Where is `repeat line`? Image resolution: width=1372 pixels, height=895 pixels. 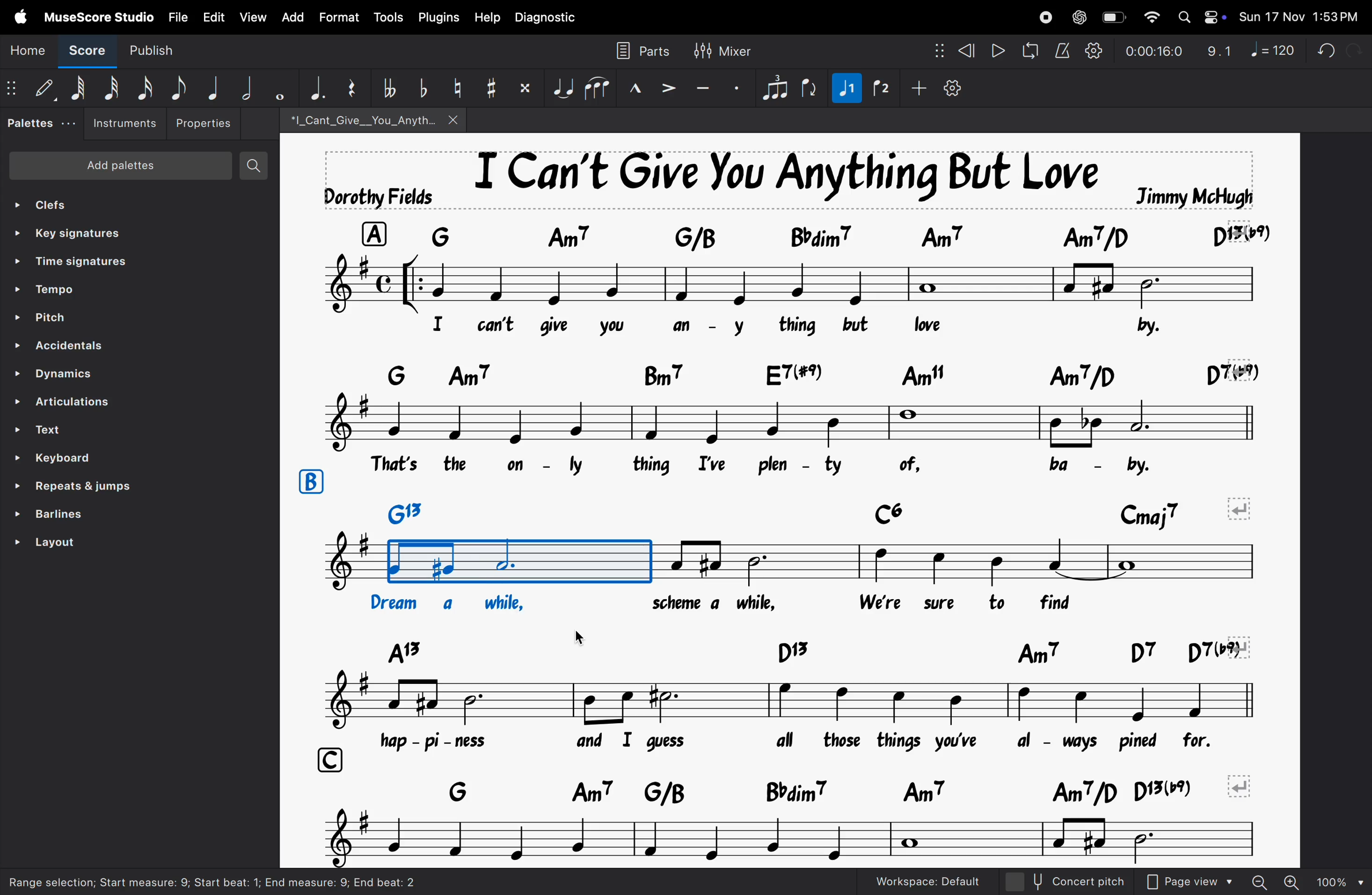
repeat line is located at coordinates (77, 486).